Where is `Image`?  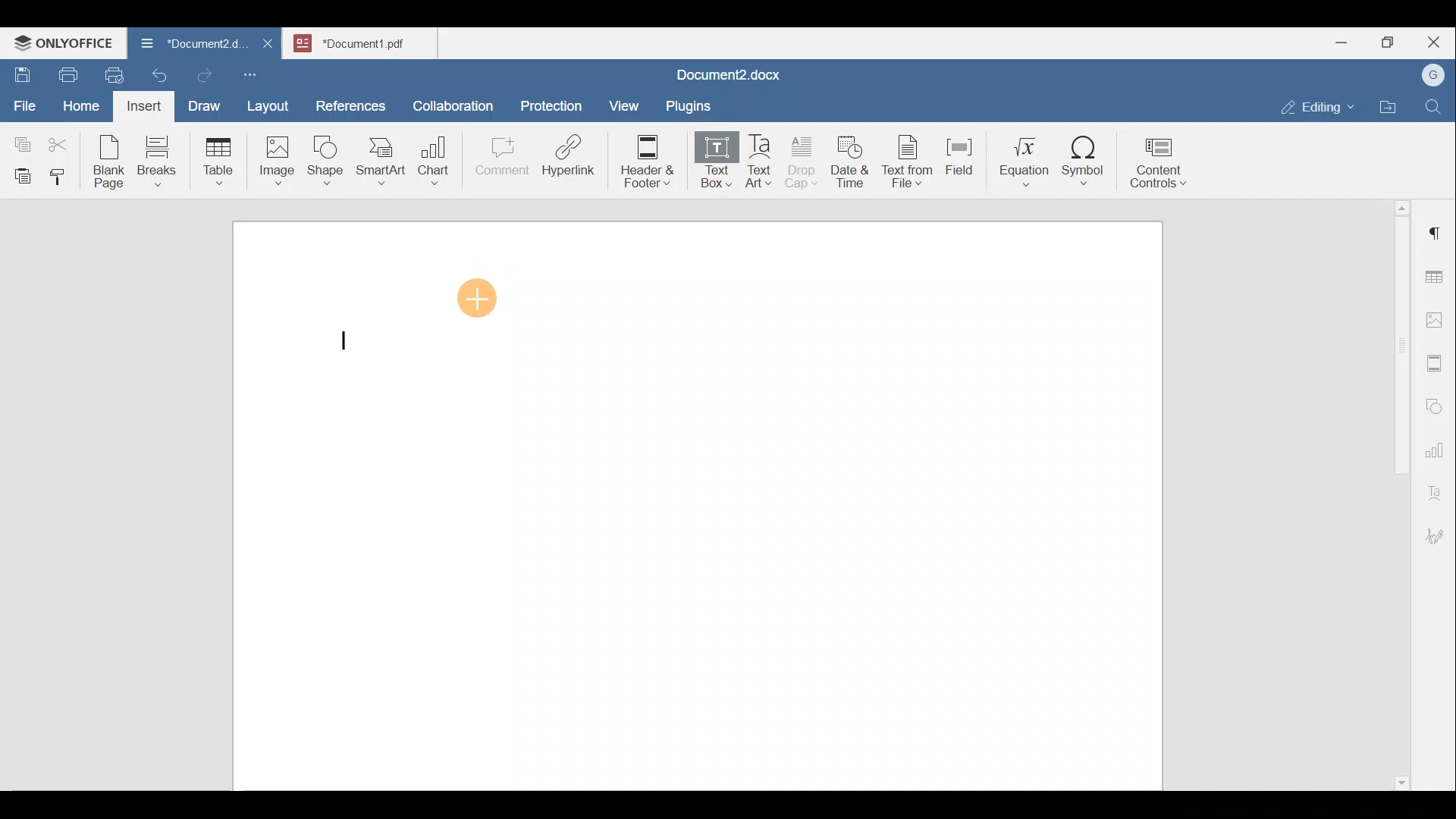 Image is located at coordinates (276, 155).